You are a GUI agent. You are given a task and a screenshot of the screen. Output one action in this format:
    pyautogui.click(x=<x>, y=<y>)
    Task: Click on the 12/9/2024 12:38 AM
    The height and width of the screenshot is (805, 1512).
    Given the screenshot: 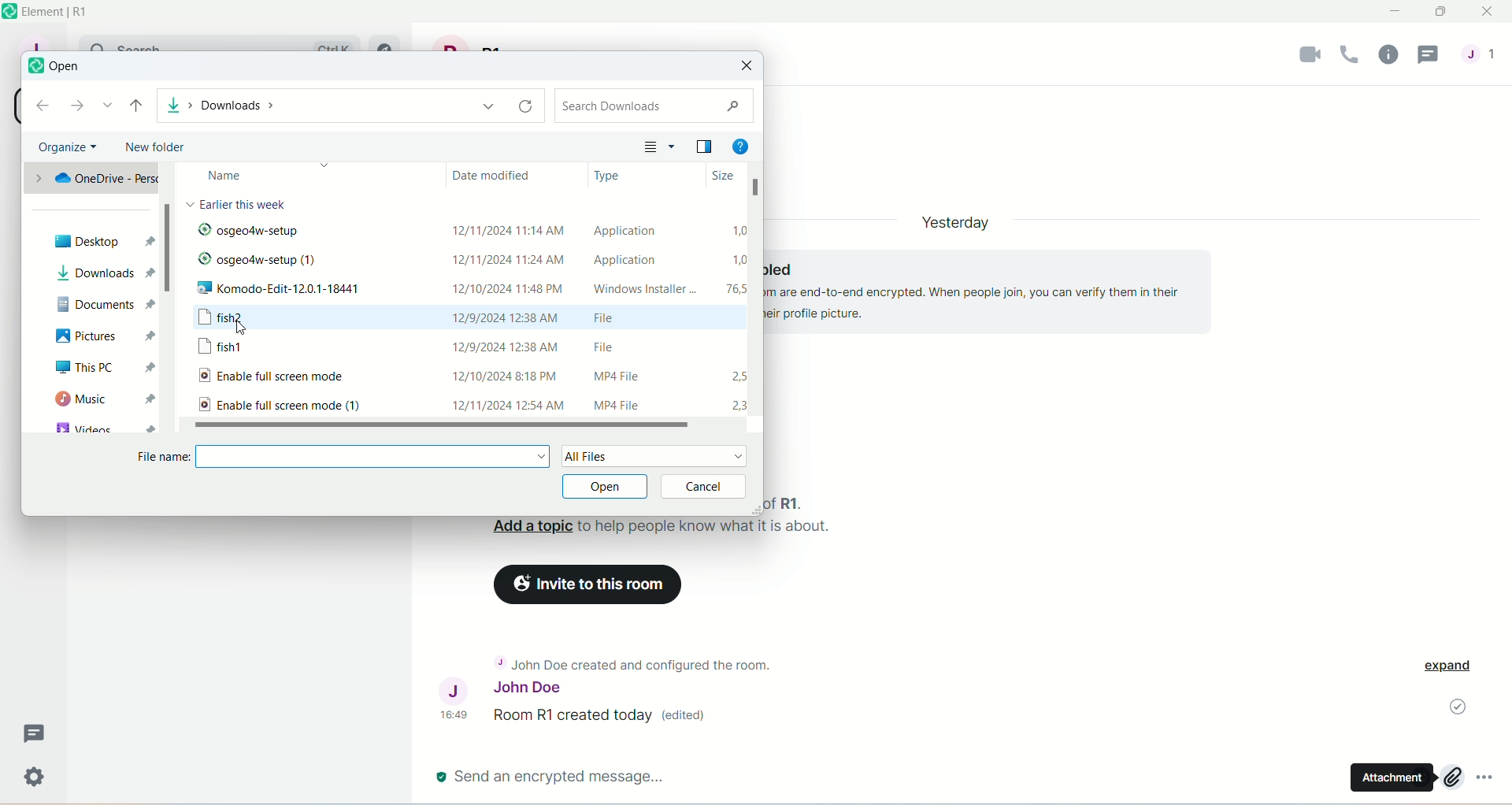 What is the action you would take?
    pyautogui.click(x=506, y=317)
    